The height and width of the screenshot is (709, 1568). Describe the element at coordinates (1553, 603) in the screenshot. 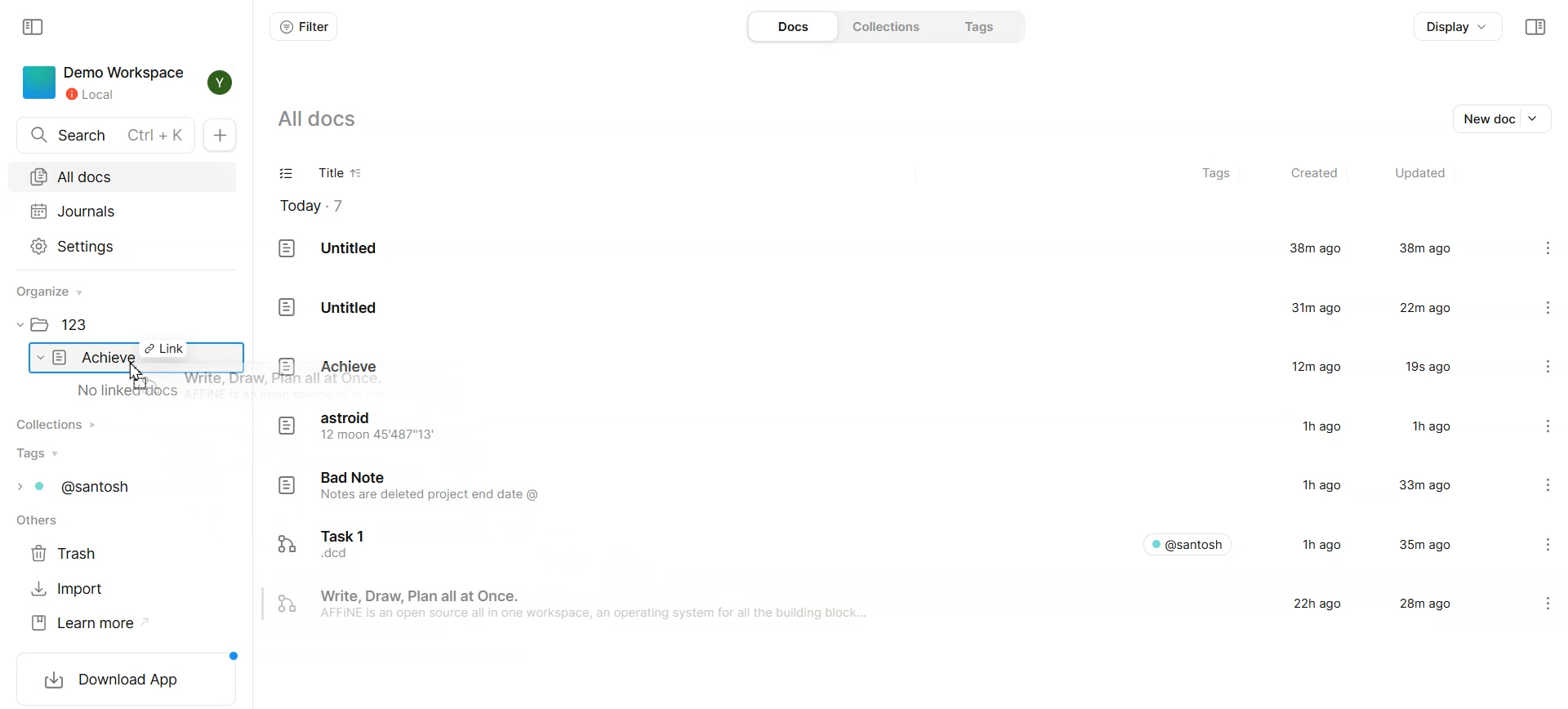

I see `Settings` at that location.